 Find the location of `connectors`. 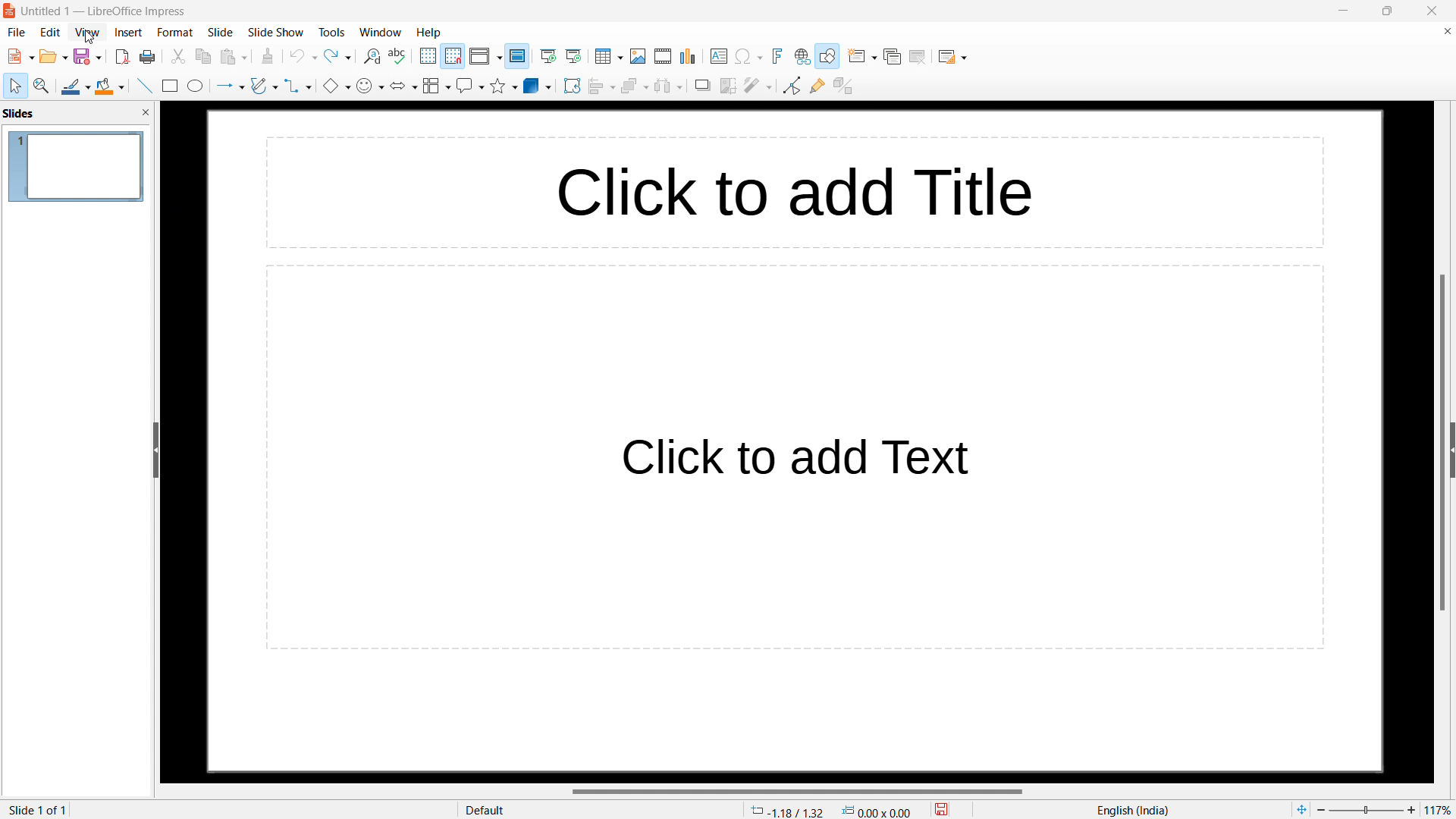

connectors is located at coordinates (300, 85).